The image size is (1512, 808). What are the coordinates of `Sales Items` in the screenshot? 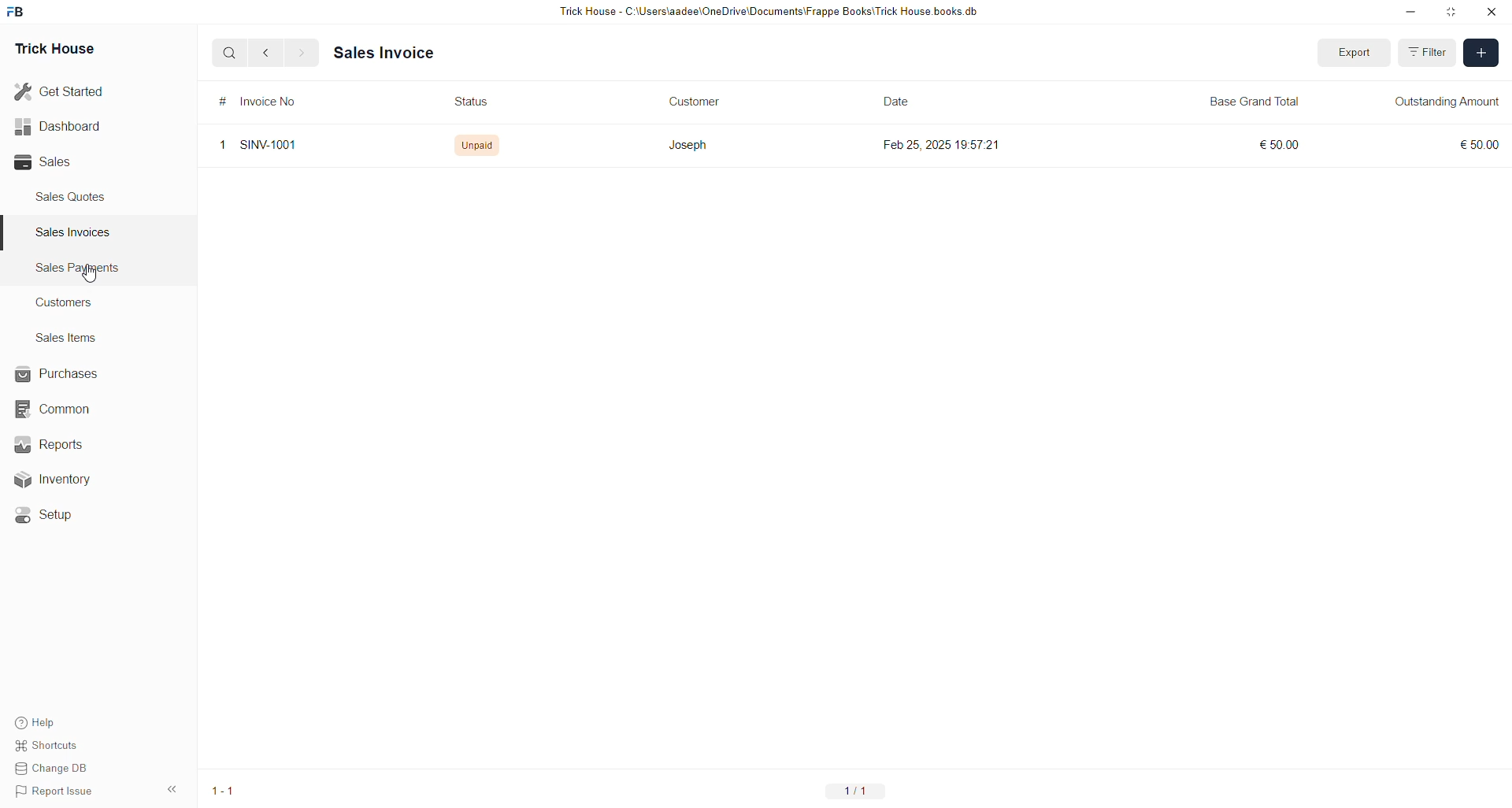 It's located at (67, 338).